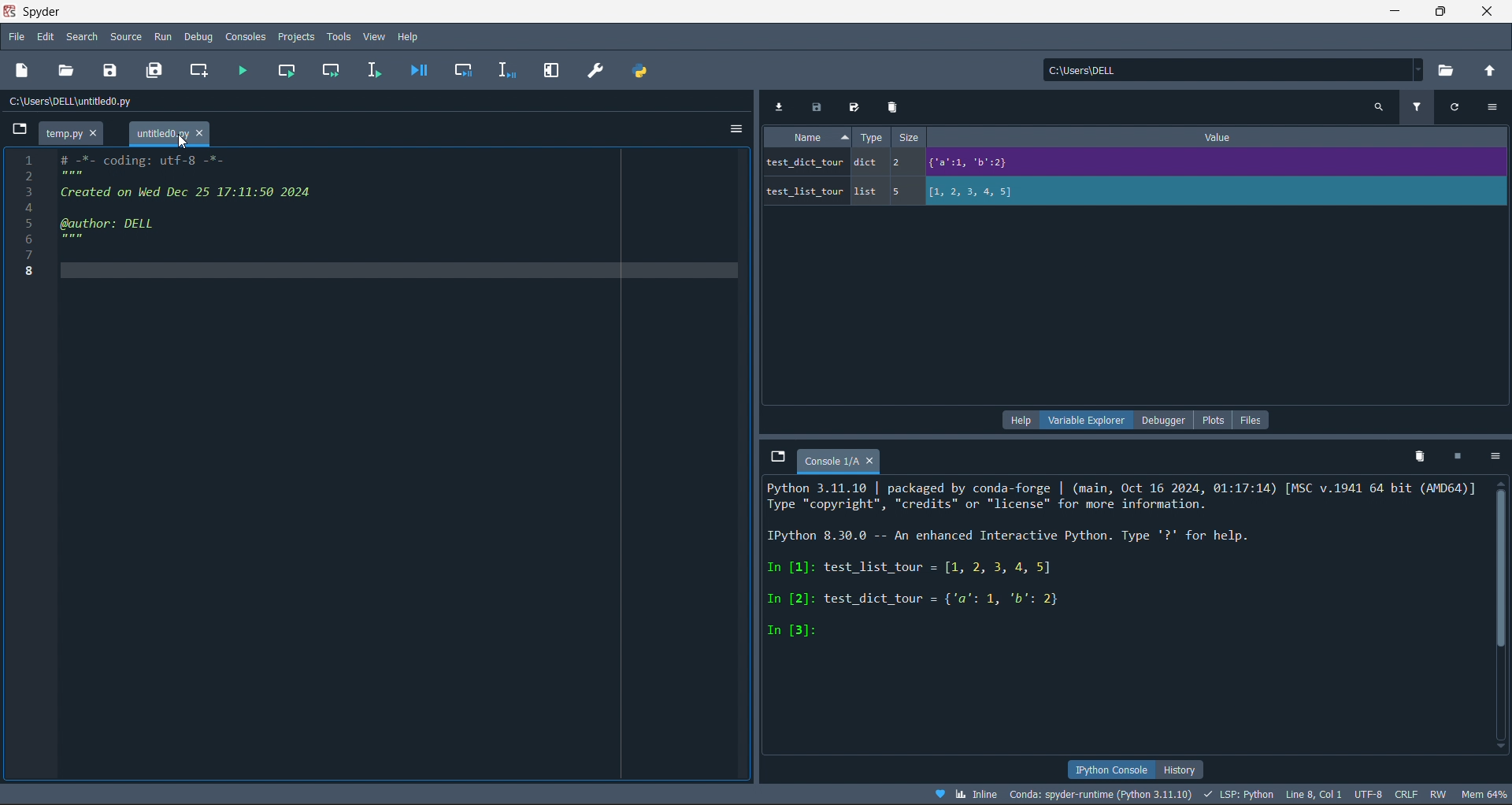  What do you see at coordinates (1462, 457) in the screenshot?
I see `interrupt kernel` at bounding box center [1462, 457].